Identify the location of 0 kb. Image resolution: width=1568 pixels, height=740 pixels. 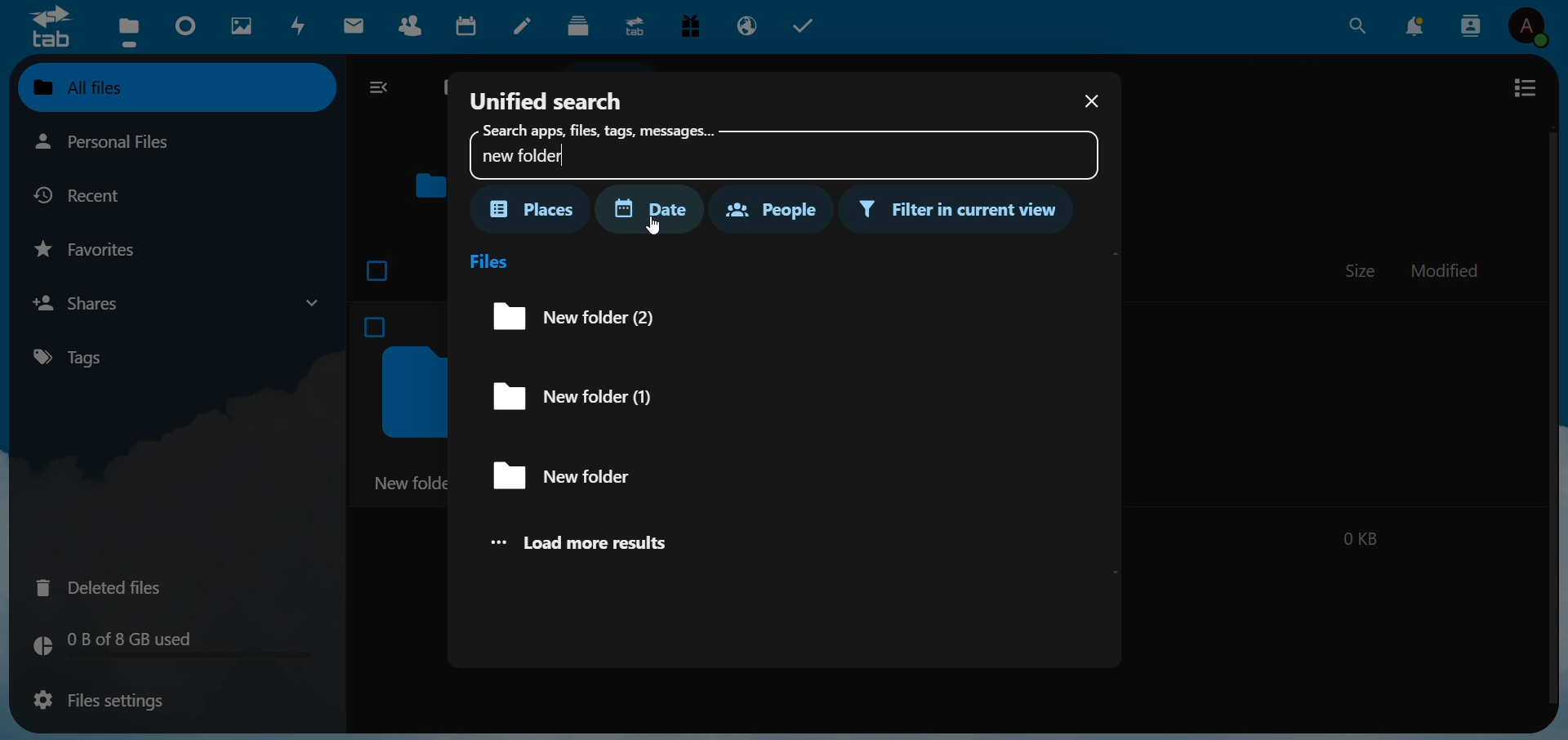
(1359, 536).